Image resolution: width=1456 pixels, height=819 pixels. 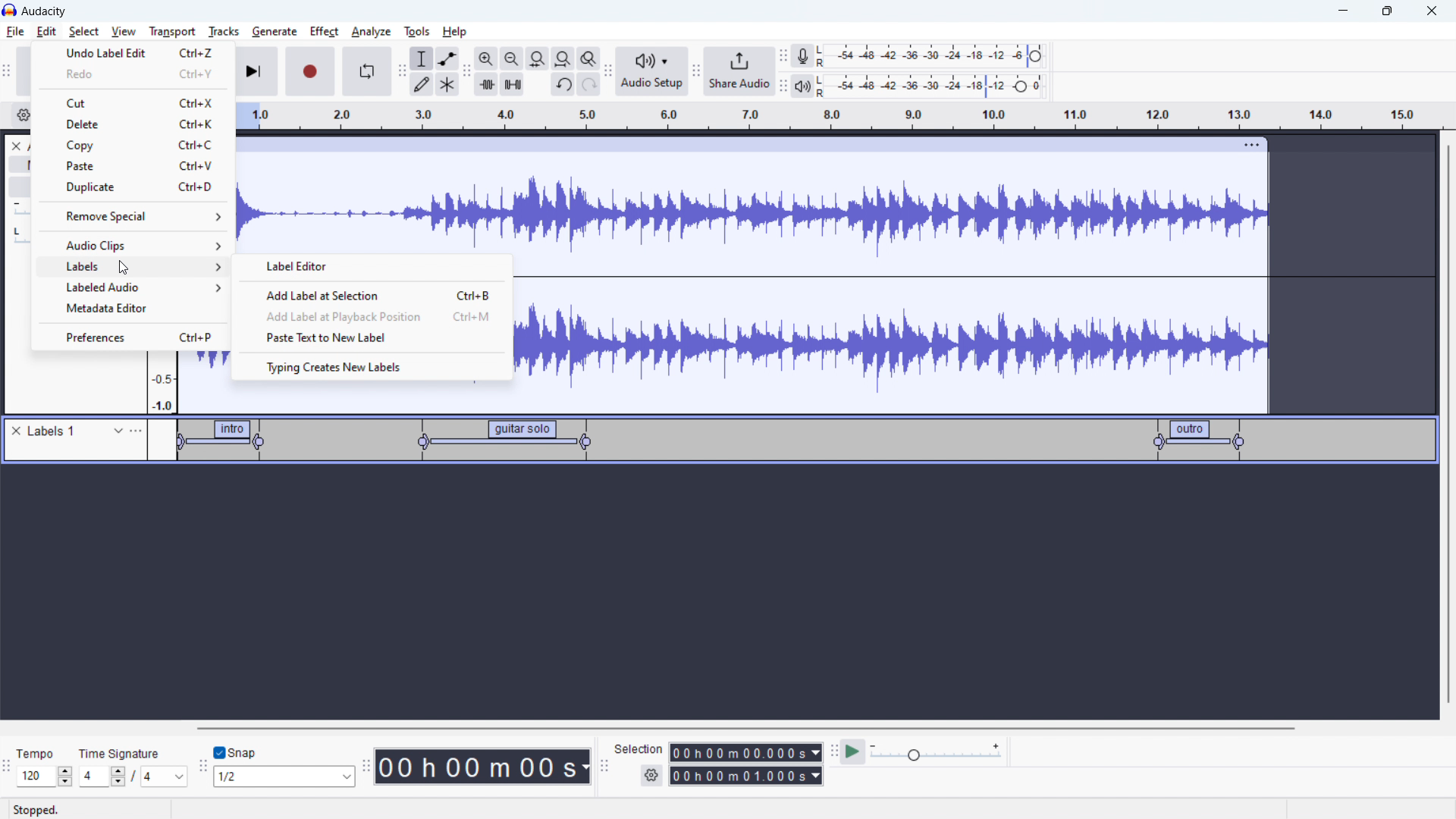 What do you see at coordinates (422, 83) in the screenshot?
I see `draw tool` at bounding box center [422, 83].